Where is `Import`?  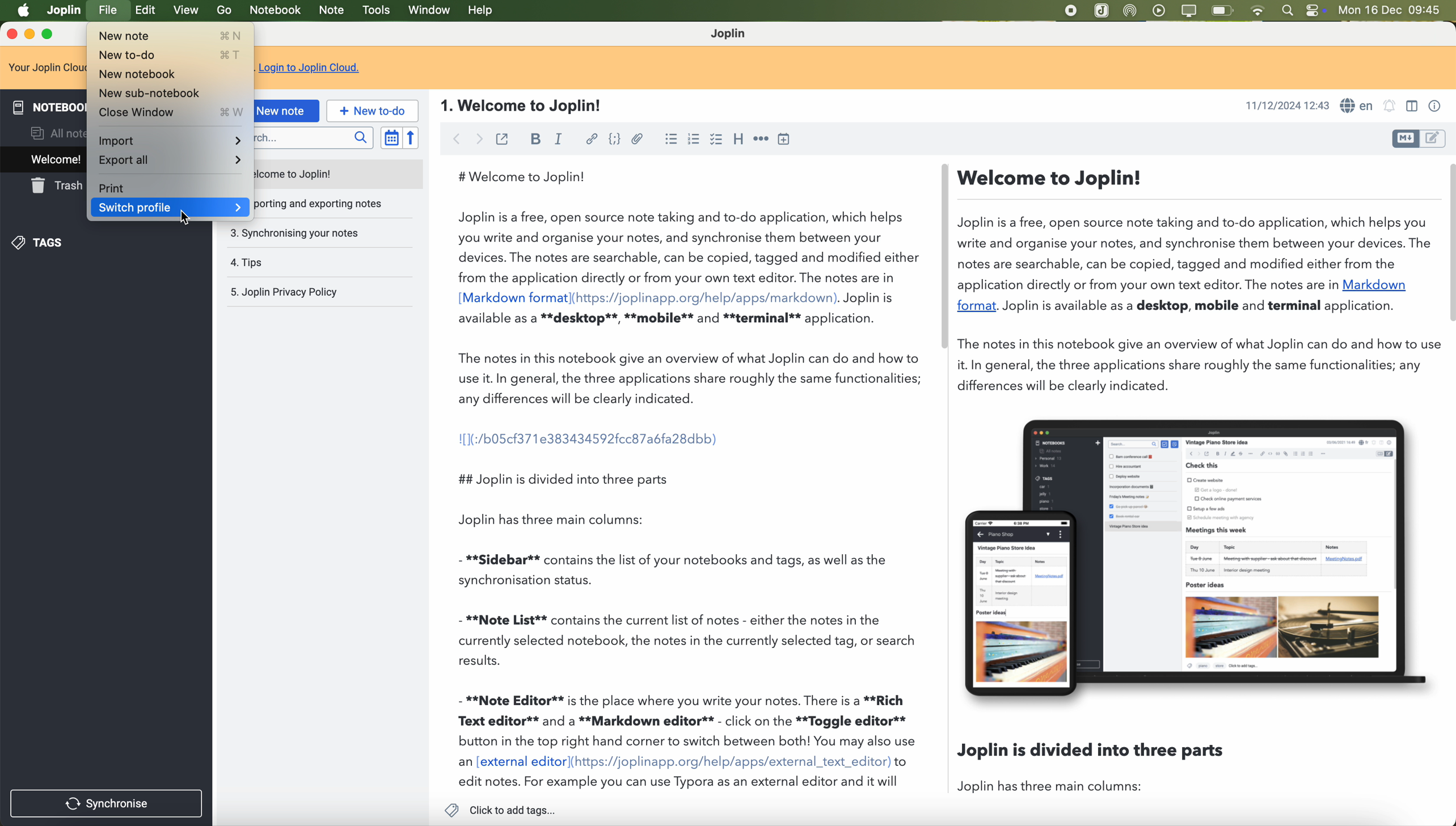 Import is located at coordinates (171, 139).